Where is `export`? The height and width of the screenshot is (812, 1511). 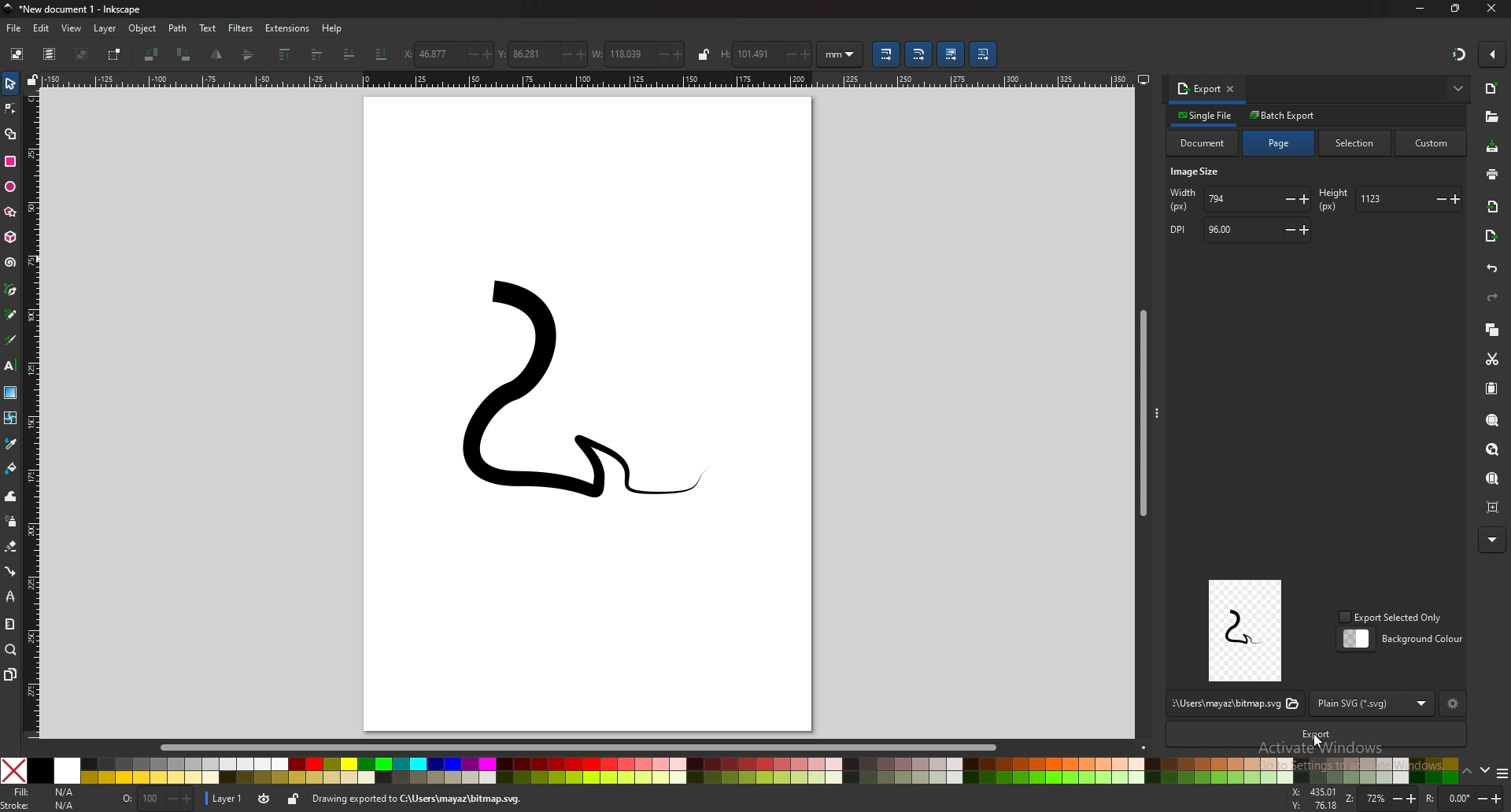
export is located at coordinates (1315, 733).